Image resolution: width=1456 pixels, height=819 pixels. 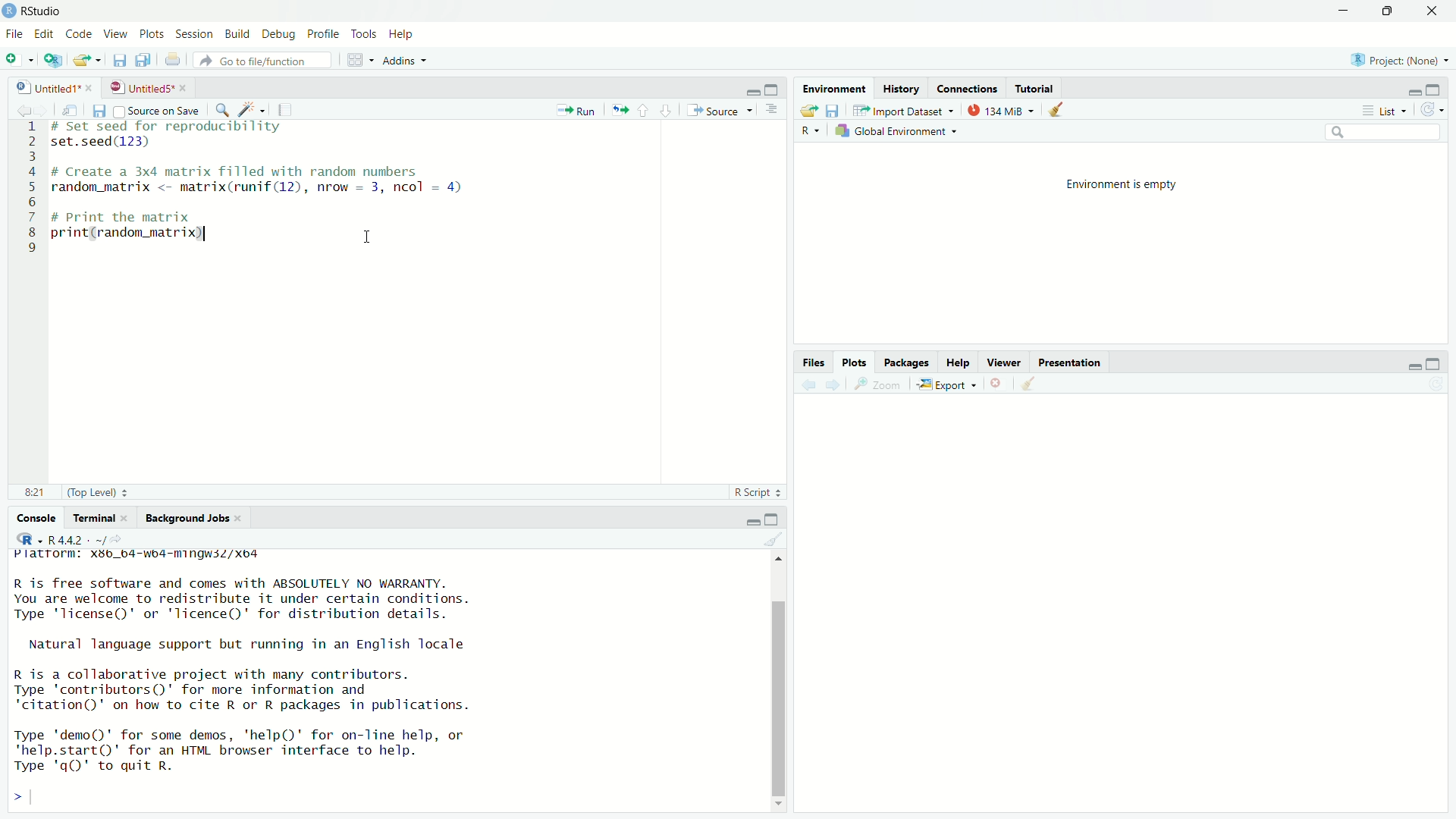 I want to click on Source, so click(x=722, y=108).